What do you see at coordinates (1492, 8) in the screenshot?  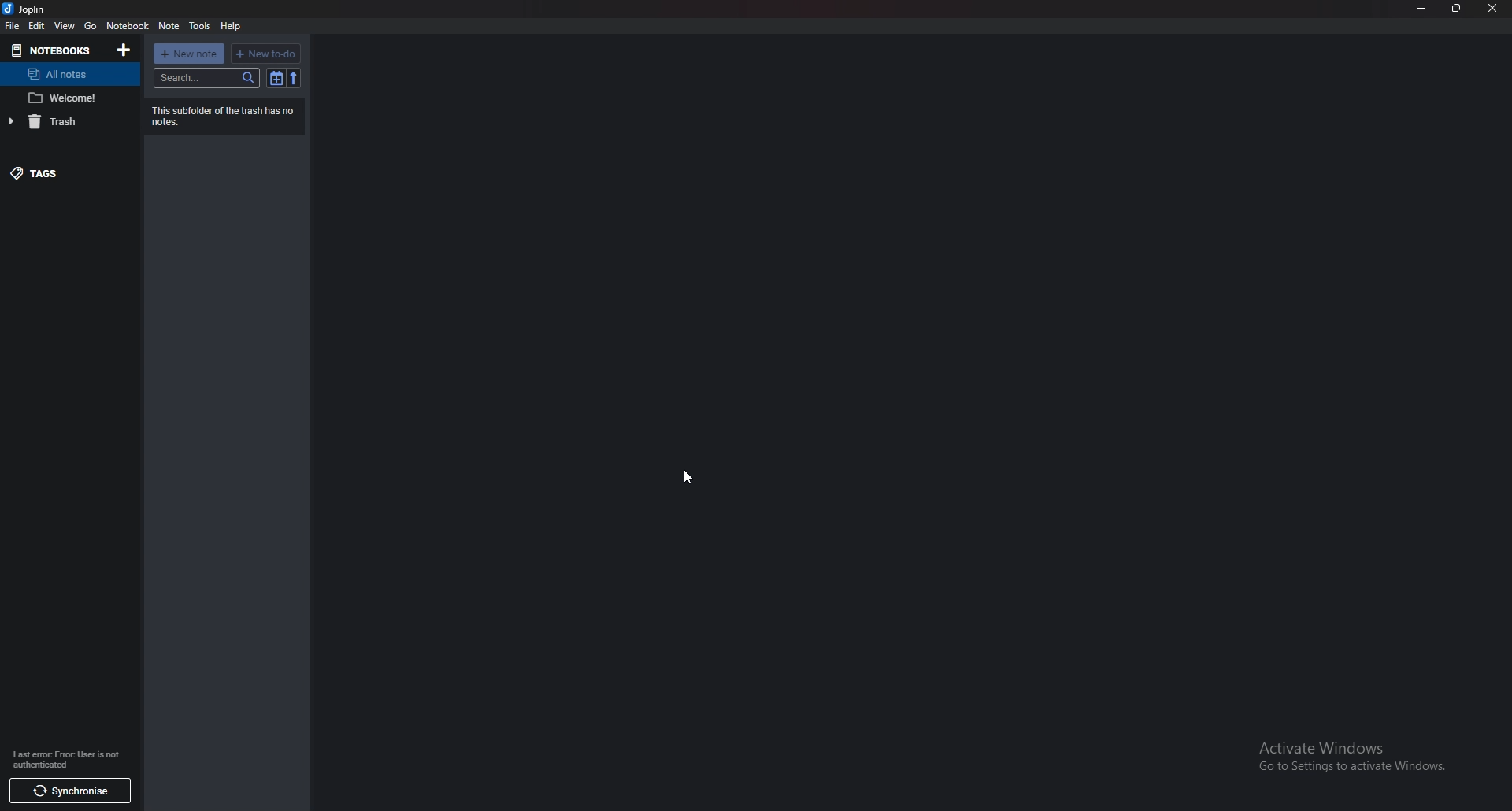 I see `close` at bounding box center [1492, 8].